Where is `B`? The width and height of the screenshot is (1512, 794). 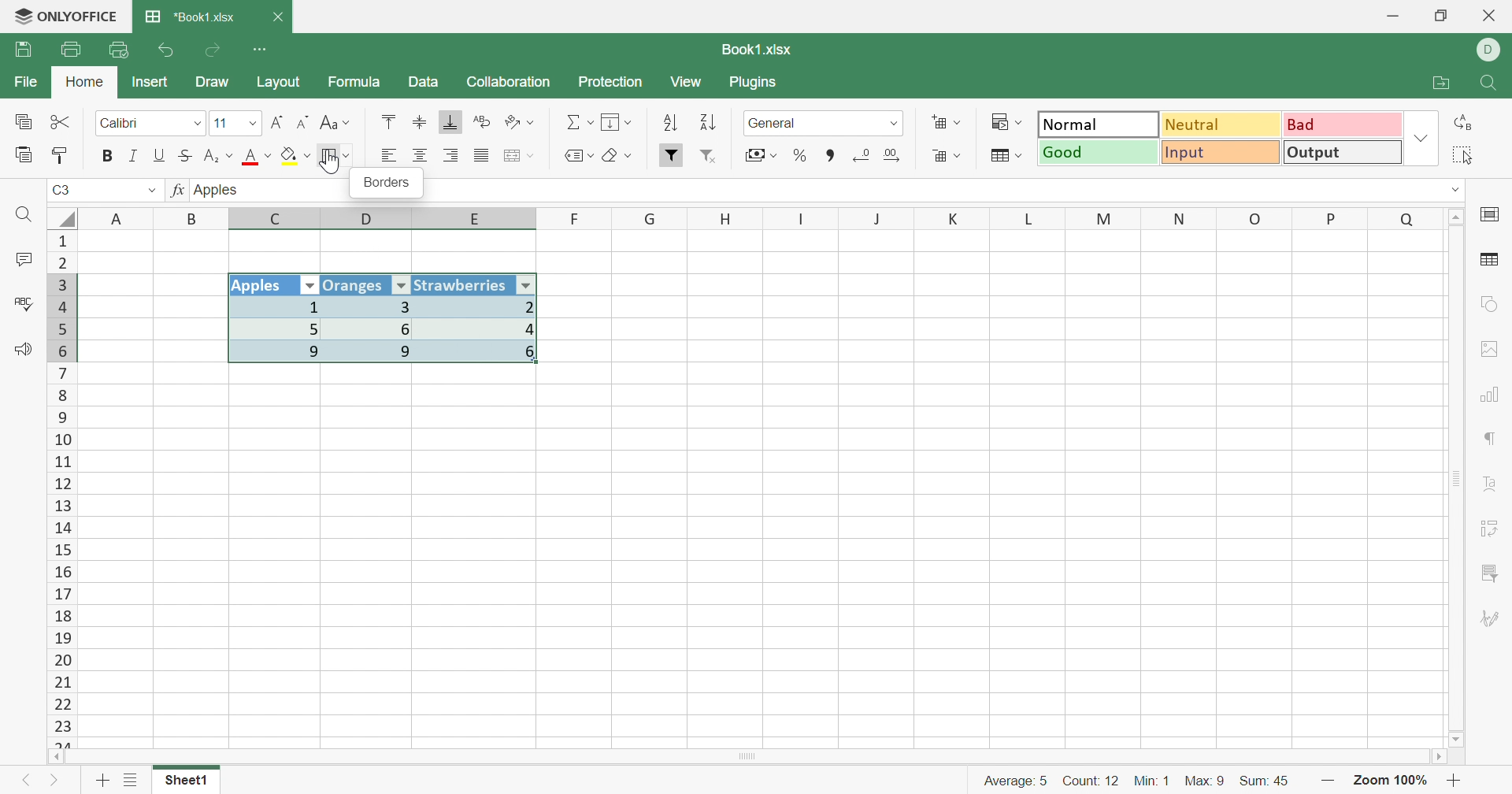 B is located at coordinates (195, 218).